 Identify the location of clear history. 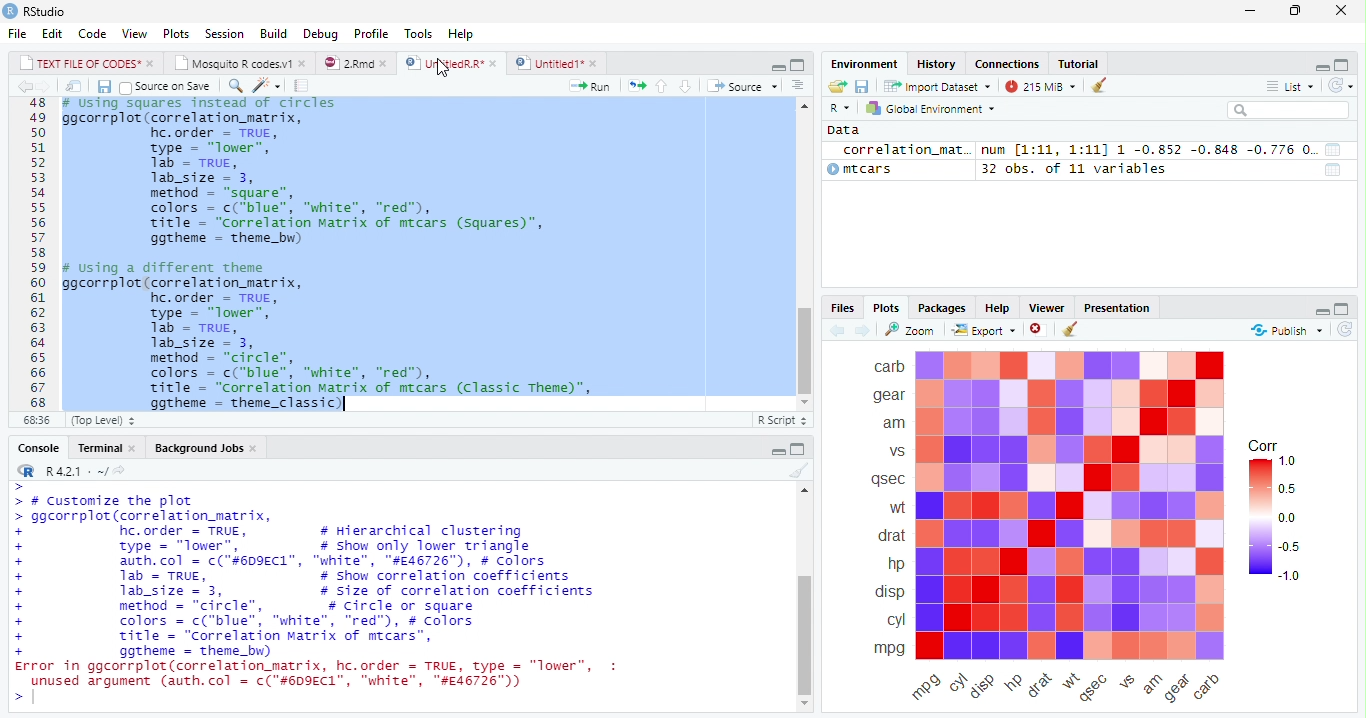
(1094, 86).